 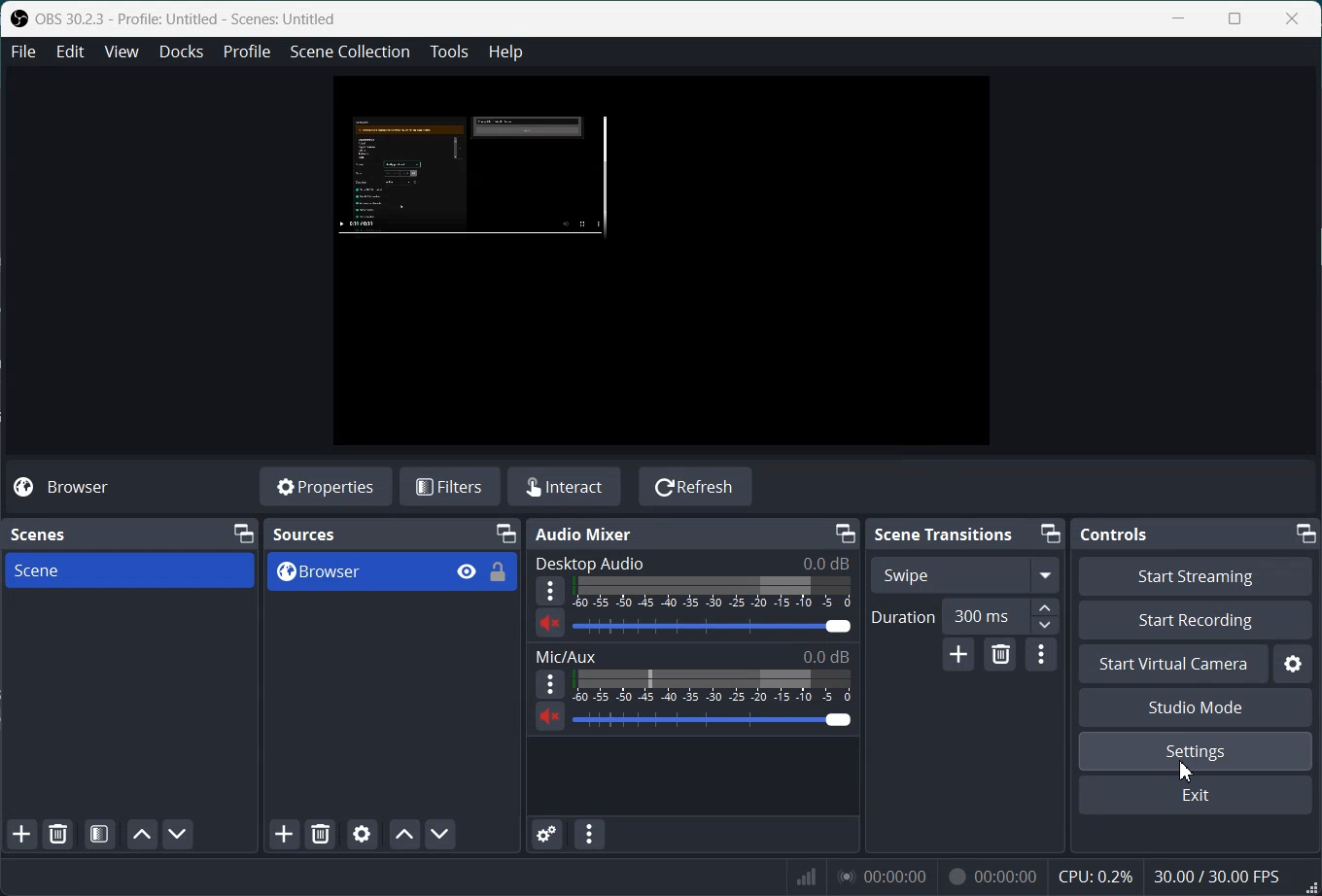 What do you see at coordinates (499, 571) in the screenshot?
I see `Lock` at bounding box center [499, 571].